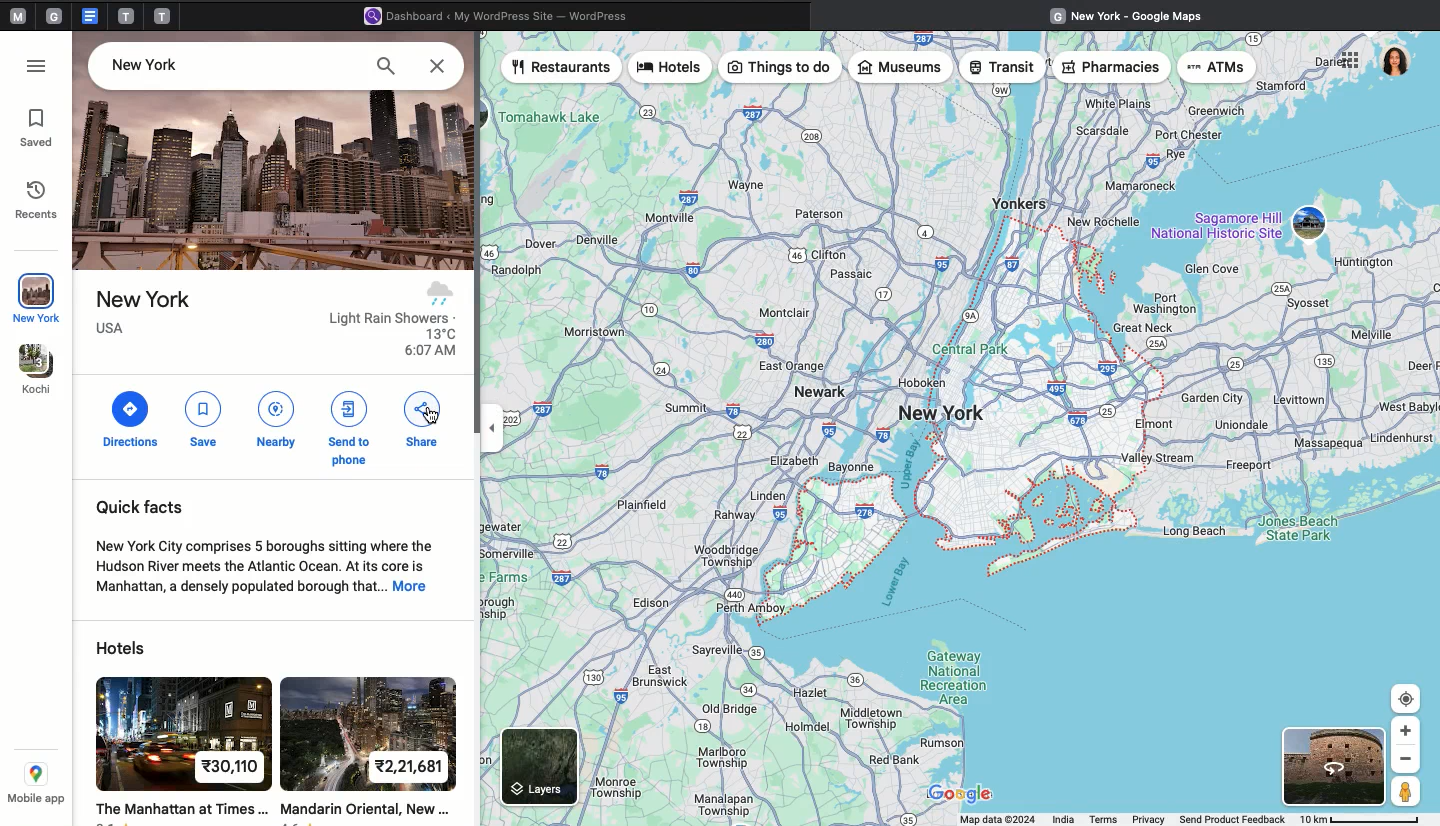  What do you see at coordinates (154, 62) in the screenshot?
I see `Place -New York` at bounding box center [154, 62].